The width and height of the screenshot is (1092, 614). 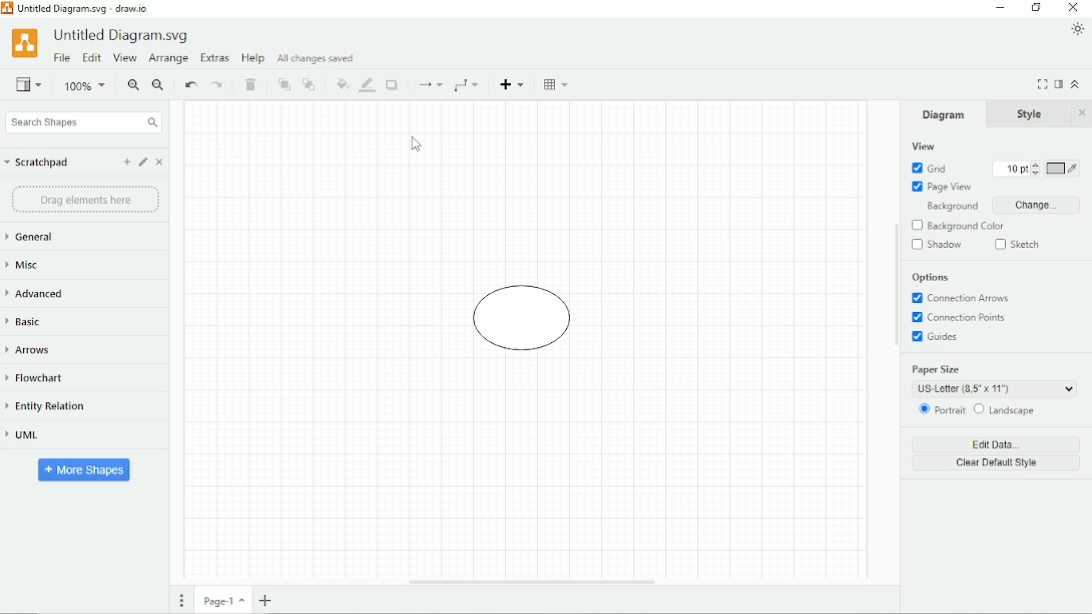 What do you see at coordinates (85, 200) in the screenshot?
I see `Drag element here` at bounding box center [85, 200].